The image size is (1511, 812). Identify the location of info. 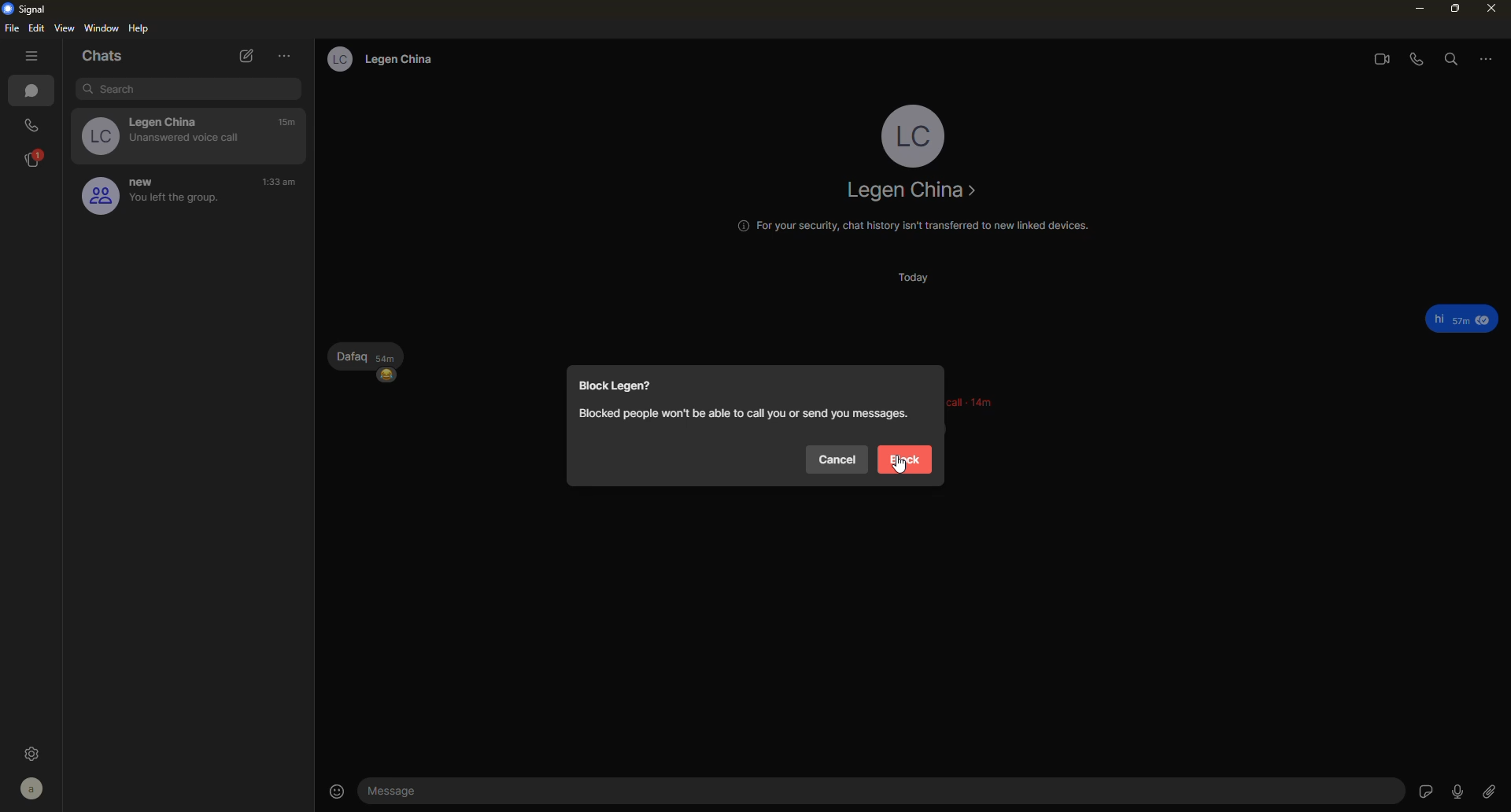
(741, 413).